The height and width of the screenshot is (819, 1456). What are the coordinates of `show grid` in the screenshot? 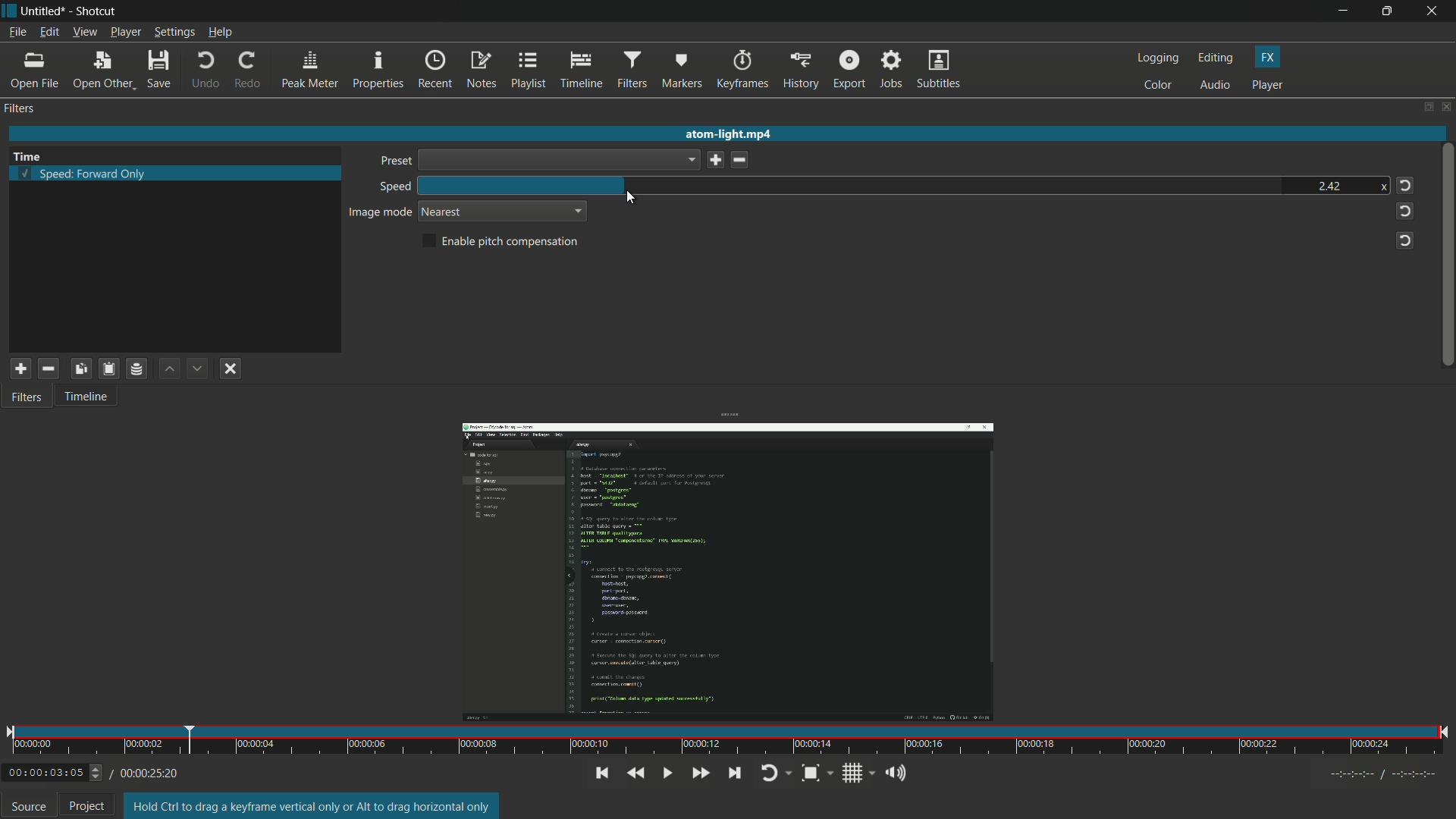 It's located at (858, 773).